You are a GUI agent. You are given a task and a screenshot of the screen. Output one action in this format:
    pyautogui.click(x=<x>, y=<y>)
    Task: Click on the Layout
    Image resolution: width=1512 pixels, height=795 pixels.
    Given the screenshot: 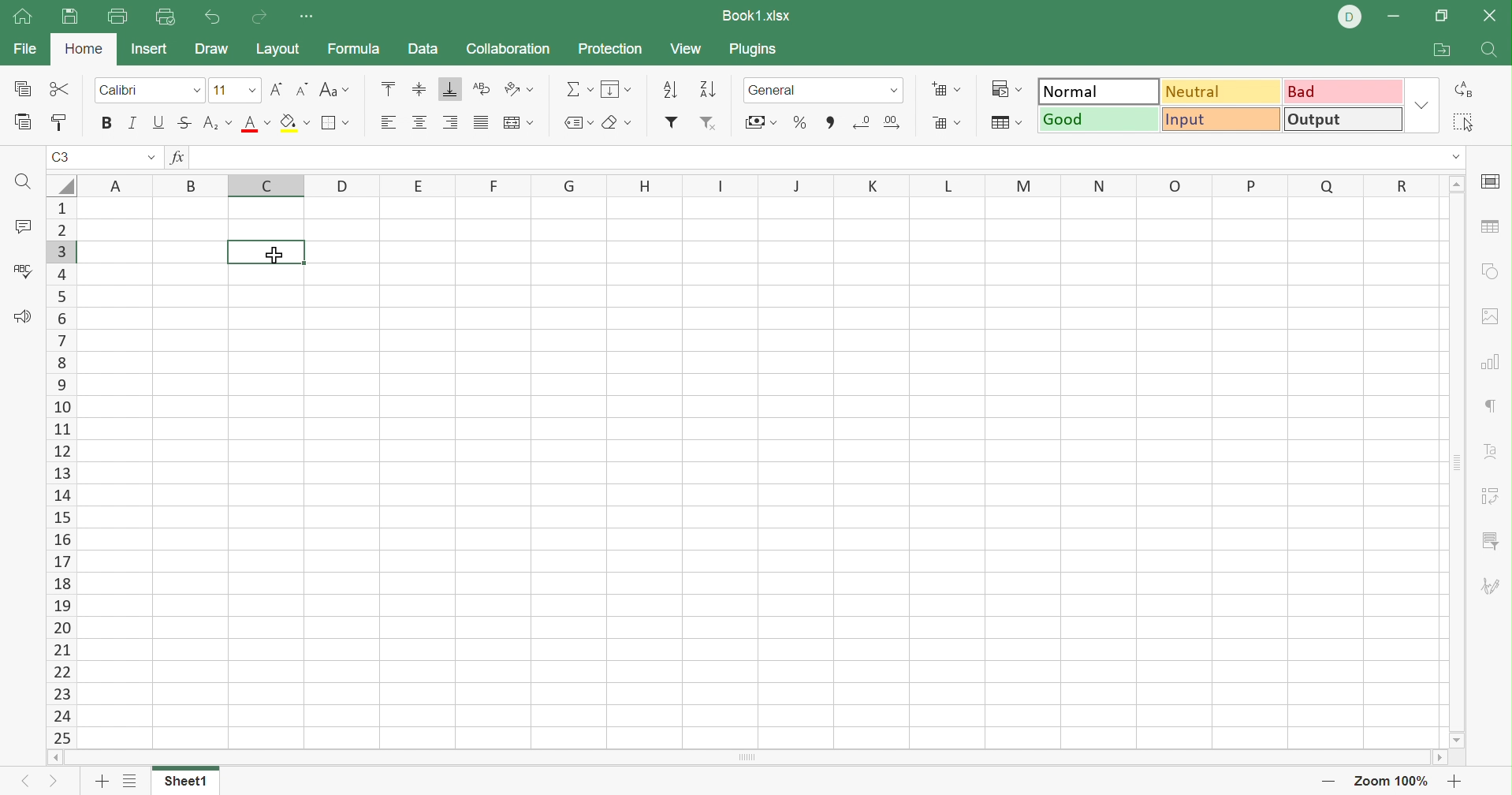 What is the action you would take?
    pyautogui.click(x=279, y=50)
    